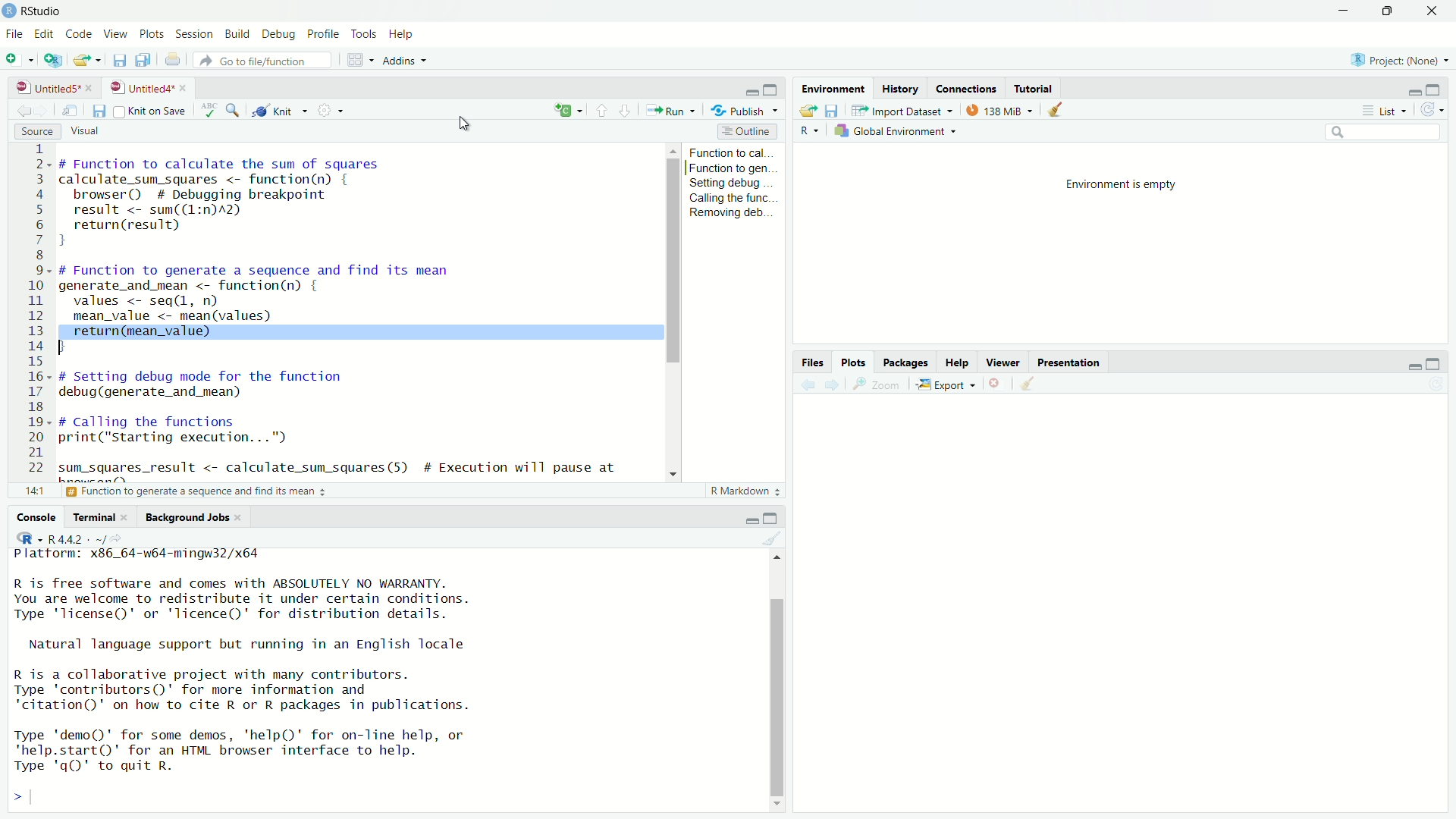 This screenshot has height=819, width=1456. I want to click on 1:1, so click(26, 491).